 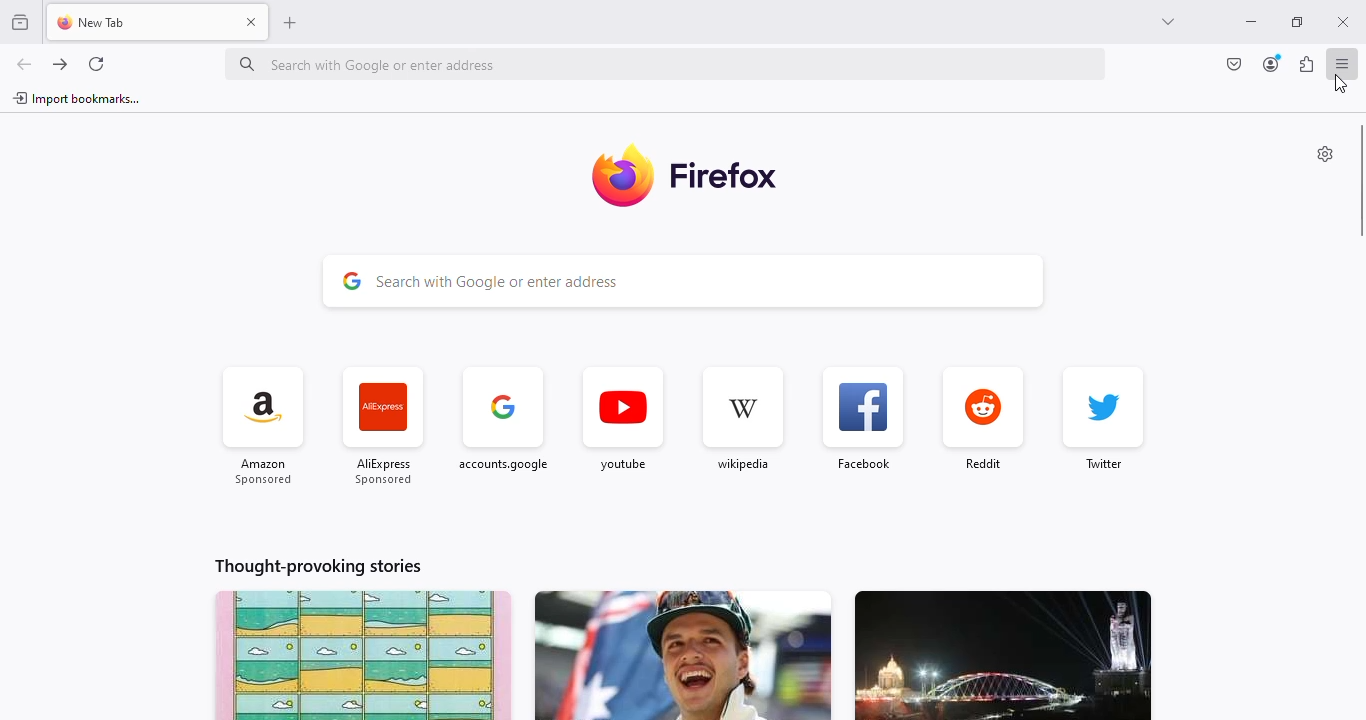 What do you see at coordinates (1003, 655) in the screenshot?
I see `story` at bounding box center [1003, 655].